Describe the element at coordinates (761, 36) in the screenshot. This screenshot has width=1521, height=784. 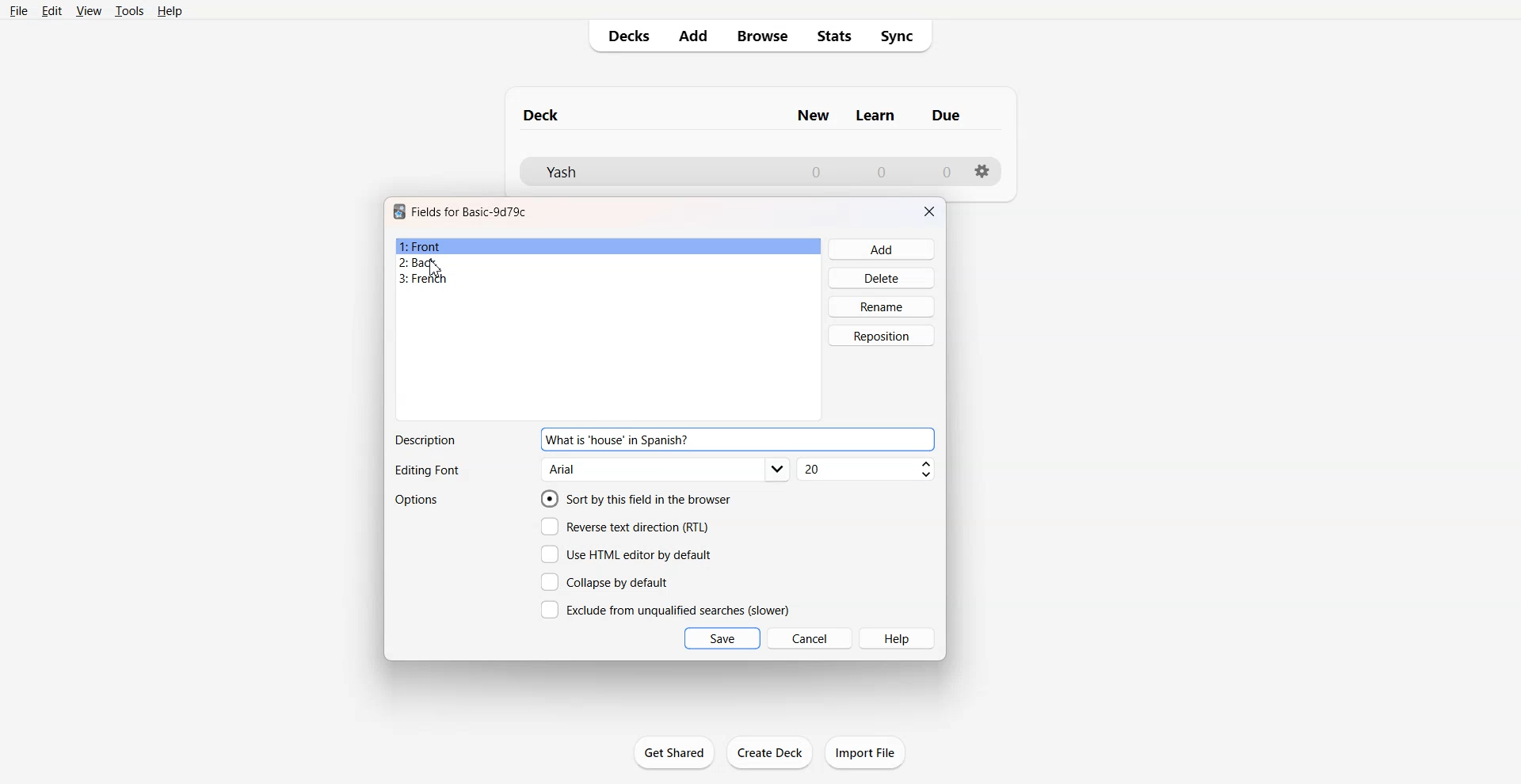
I see `Browse` at that location.